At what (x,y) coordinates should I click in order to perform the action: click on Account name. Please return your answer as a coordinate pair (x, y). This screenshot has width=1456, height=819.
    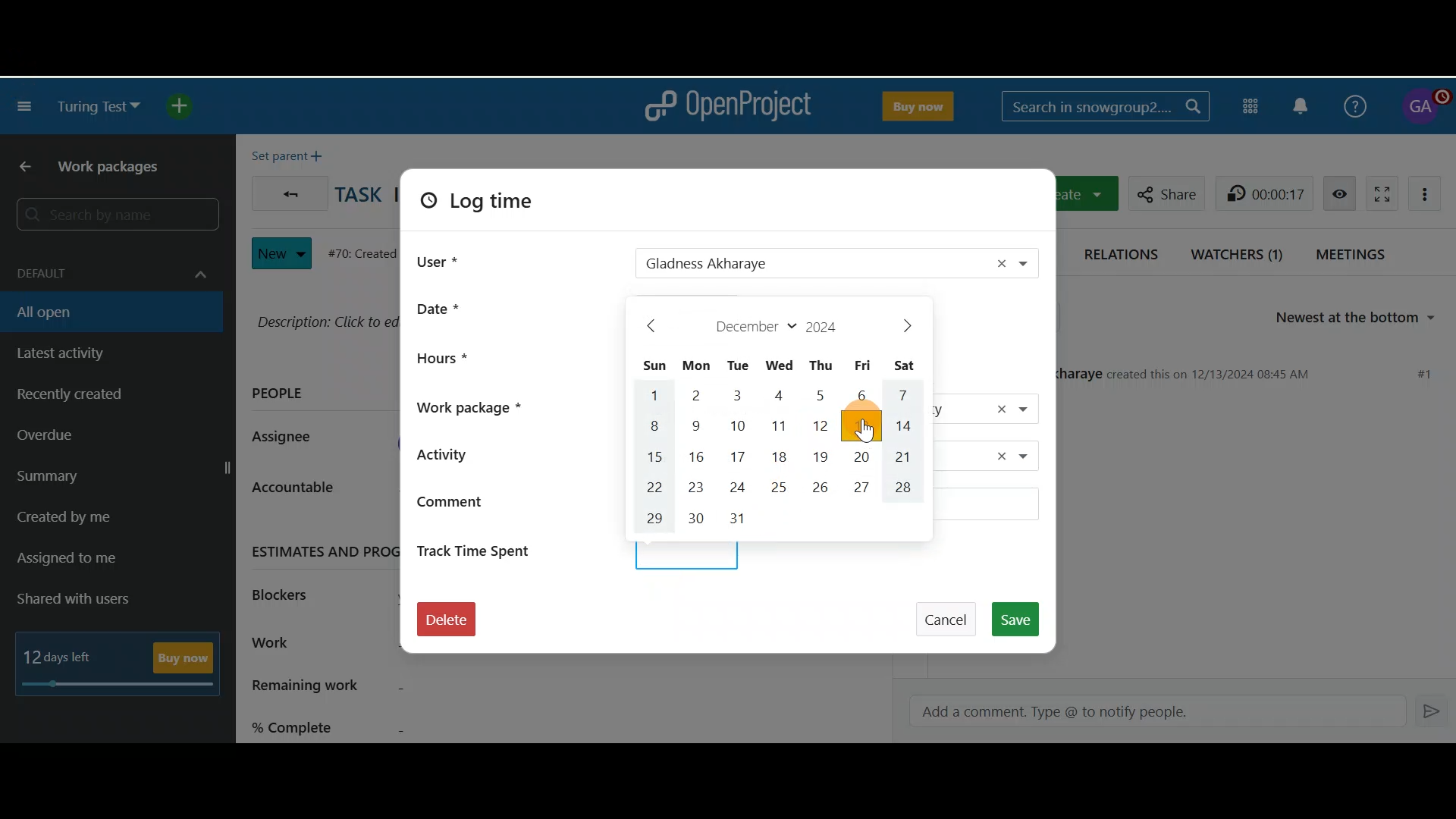
    Looking at the image, I should click on (1423, 107).